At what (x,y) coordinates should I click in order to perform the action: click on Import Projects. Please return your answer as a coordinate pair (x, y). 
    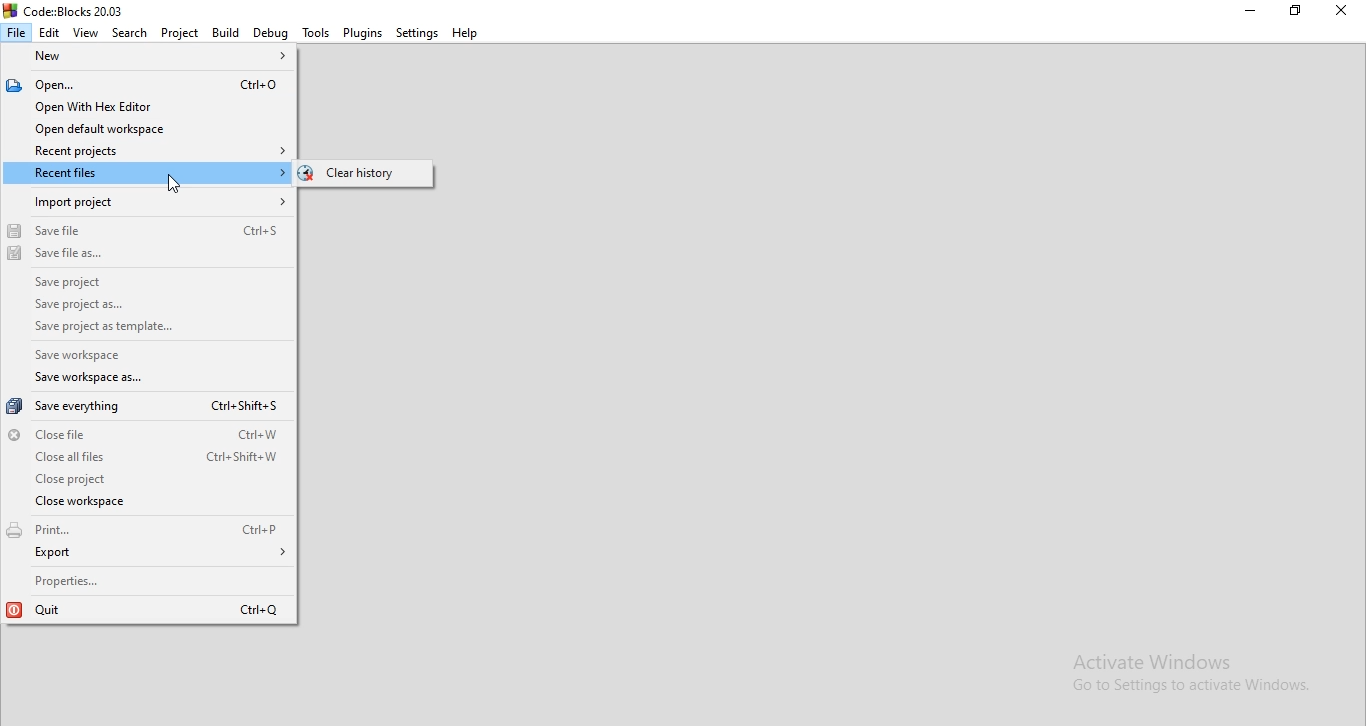
    Looking at the image, I should click on (146, 202).